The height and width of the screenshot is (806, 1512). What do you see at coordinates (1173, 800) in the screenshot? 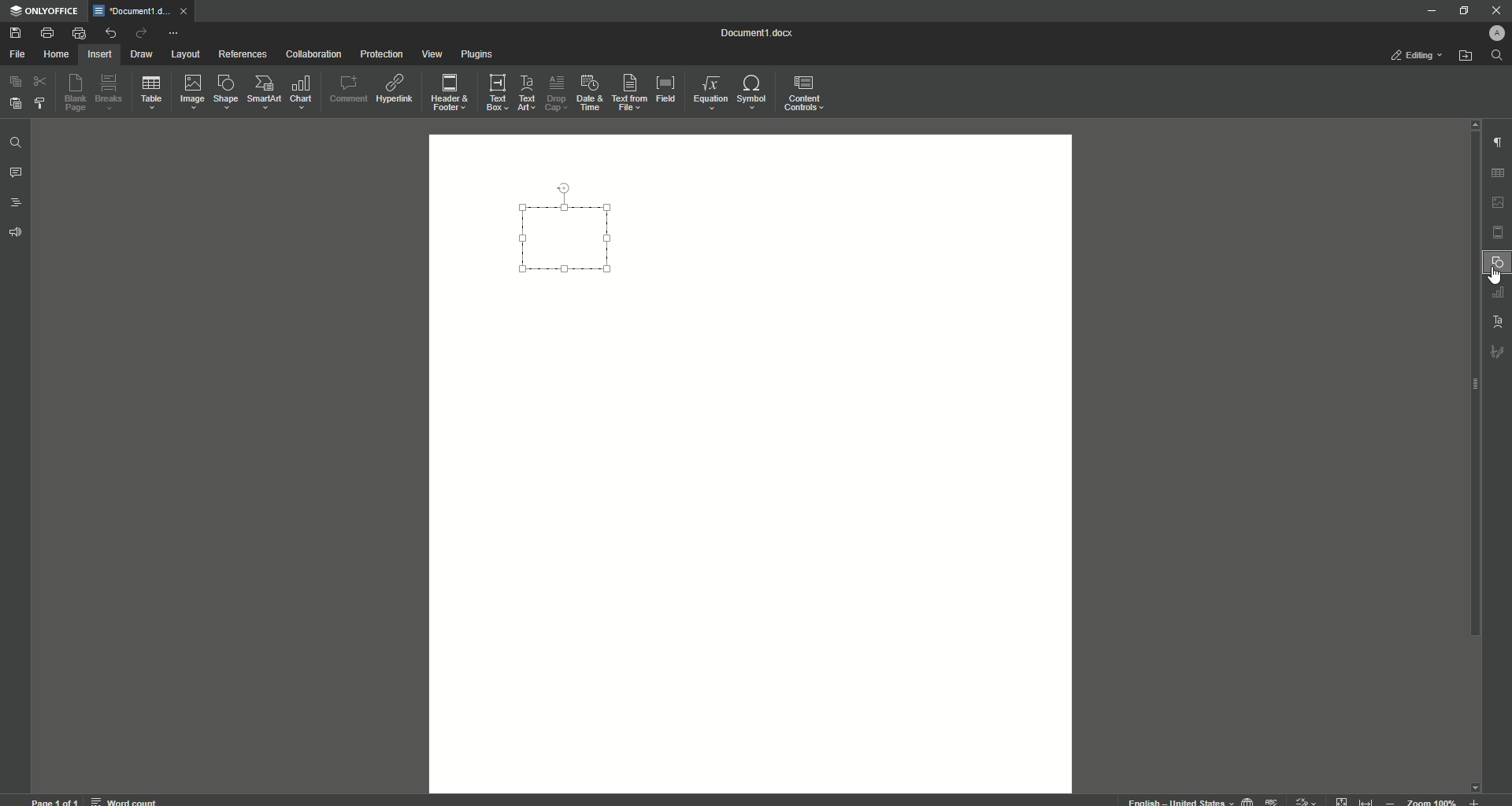
I see `text language` at bounding box center [1173, 800].